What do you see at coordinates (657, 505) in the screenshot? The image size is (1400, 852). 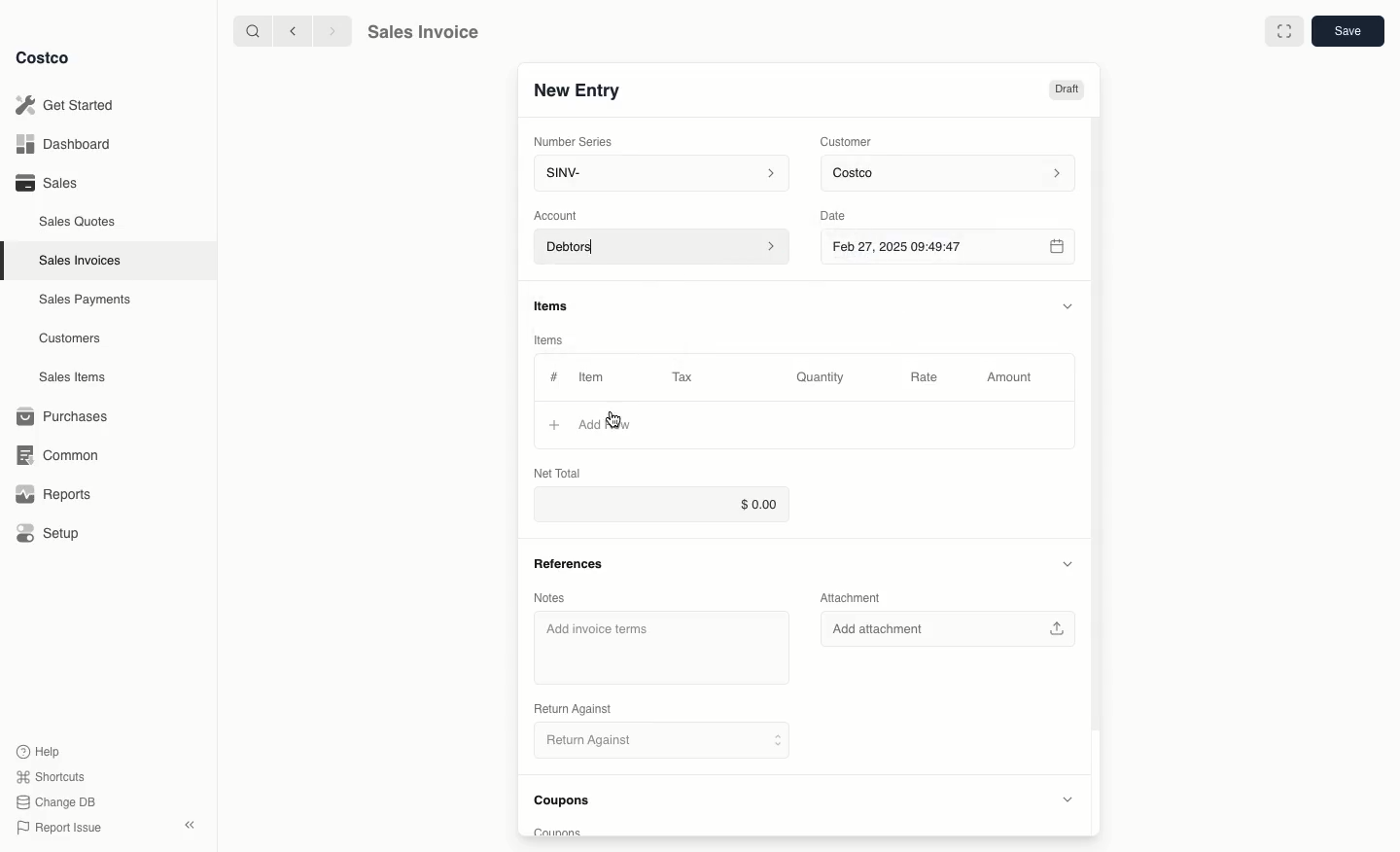 I see `$0.00` at bounding box center [657, 505].